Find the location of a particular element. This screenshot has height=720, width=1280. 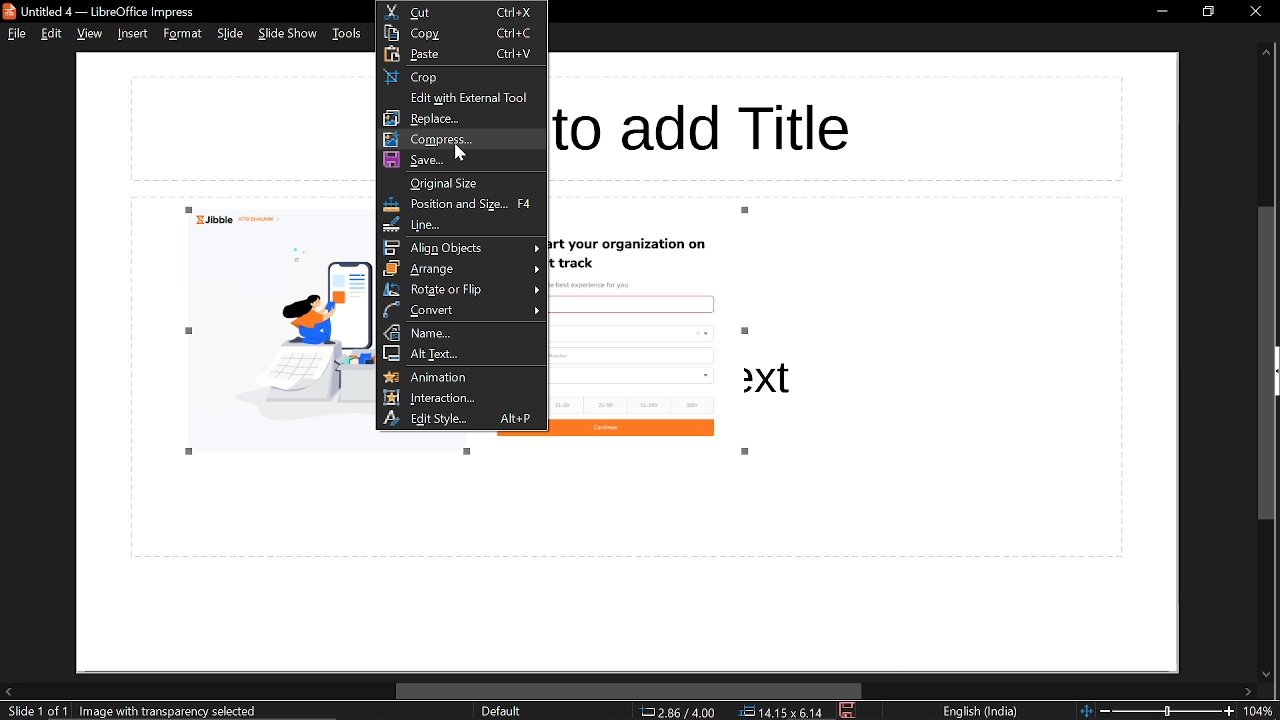

align object is located at coordinates (463, 247).